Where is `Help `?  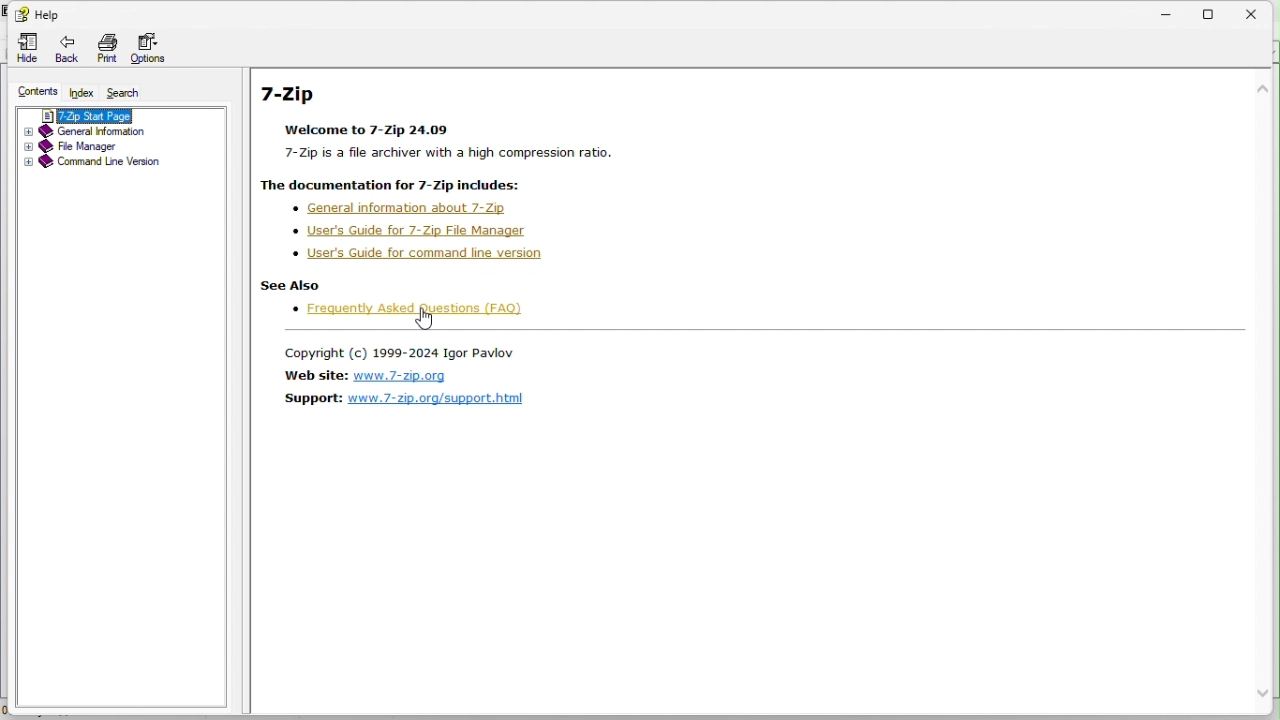 Help  is located at coordinates (39, 13).